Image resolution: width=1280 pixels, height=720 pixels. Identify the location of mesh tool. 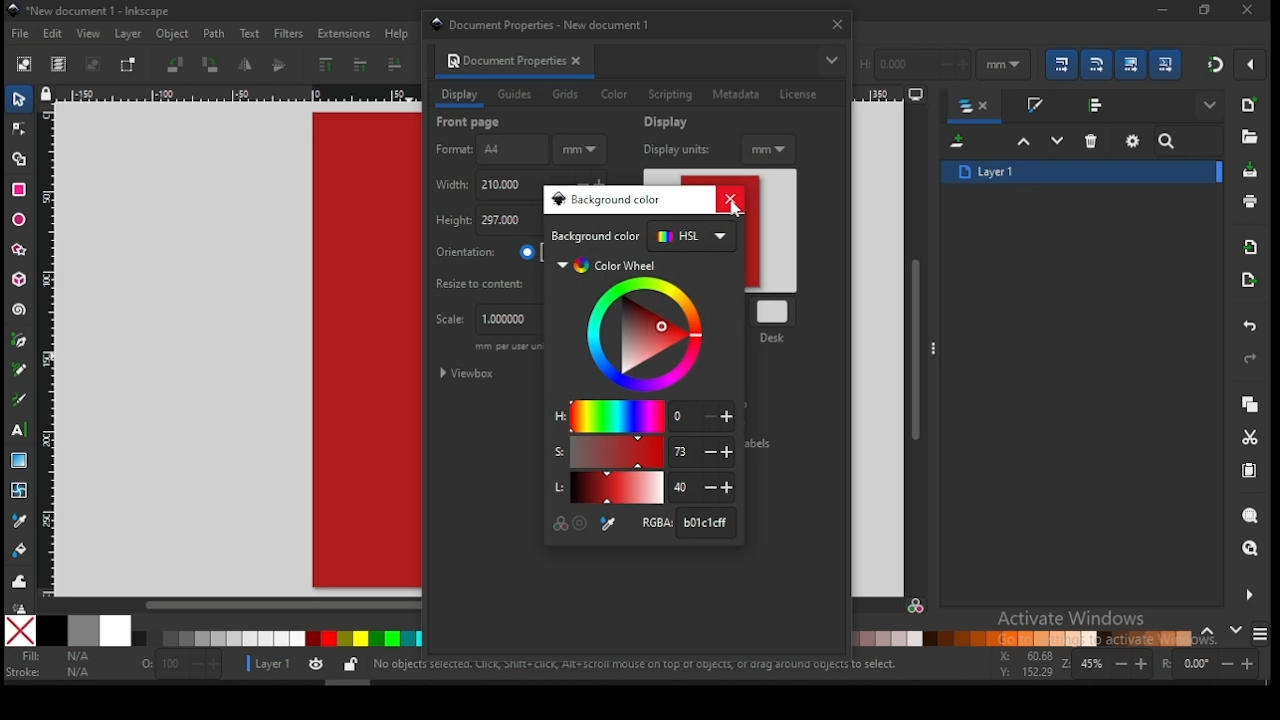
(21, 491).